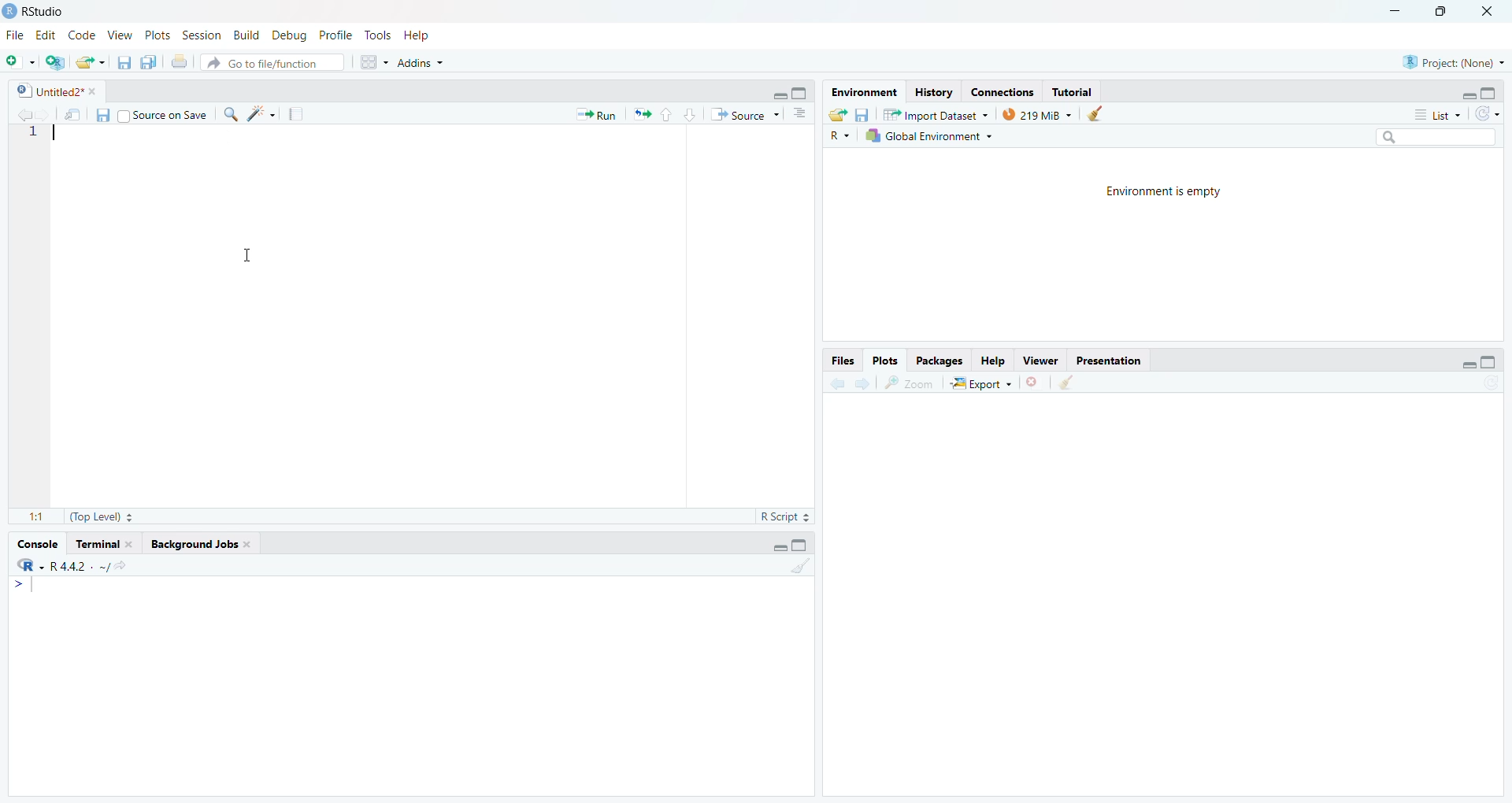 This screenshot has height=803, width=1512. Describe the element at coordinates (380, 35) in the screenshot. I see `Tools` at that location.